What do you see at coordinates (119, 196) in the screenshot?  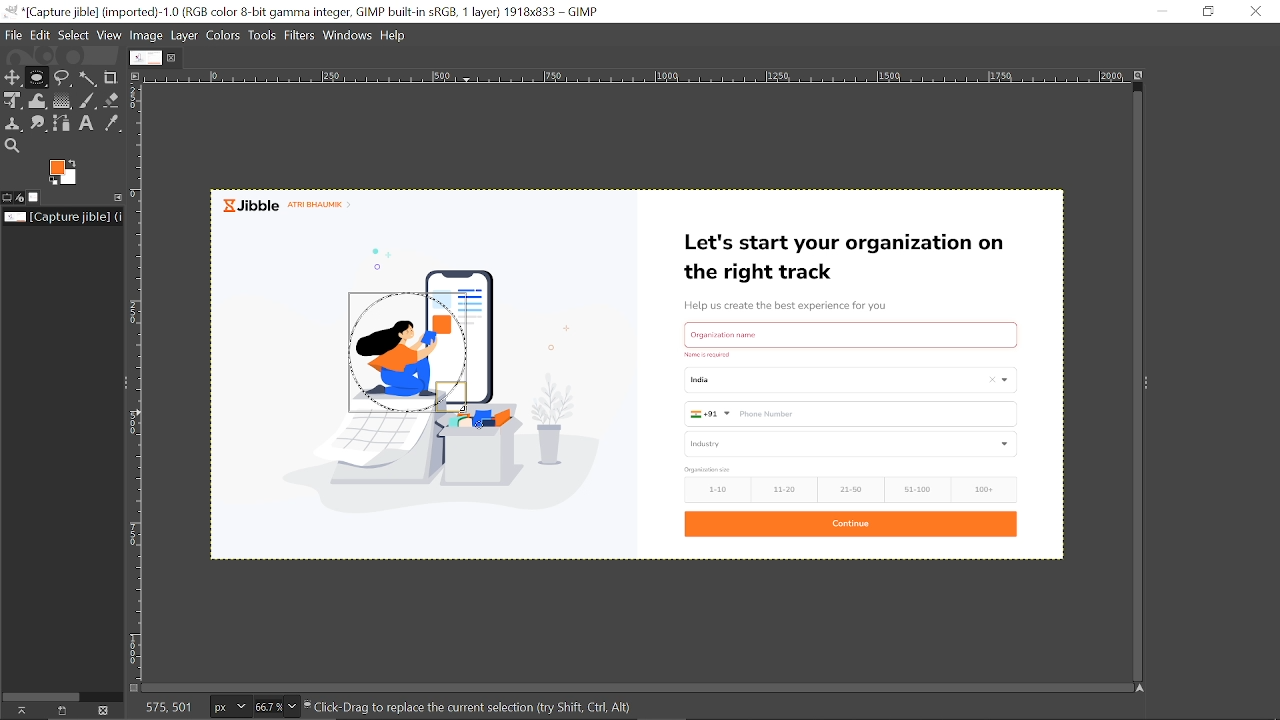 I see `Configure this tab` at bounding box center [119, 196].